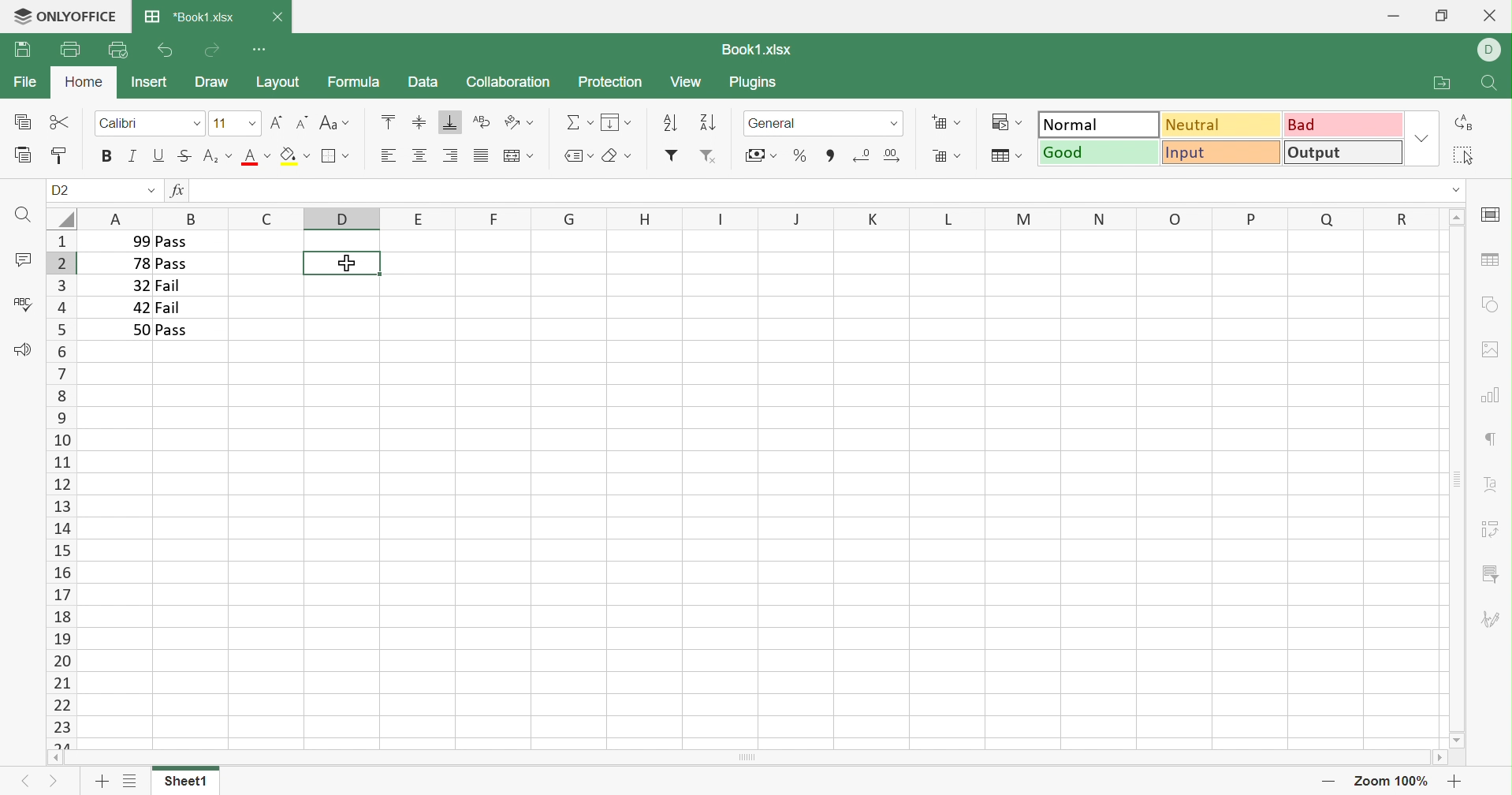 This screenshot has width=1512, height=795. What do you see at coordinates (747, 759) in the screenshot?
I see `Scroll bar` at bounding box center [747, 759].